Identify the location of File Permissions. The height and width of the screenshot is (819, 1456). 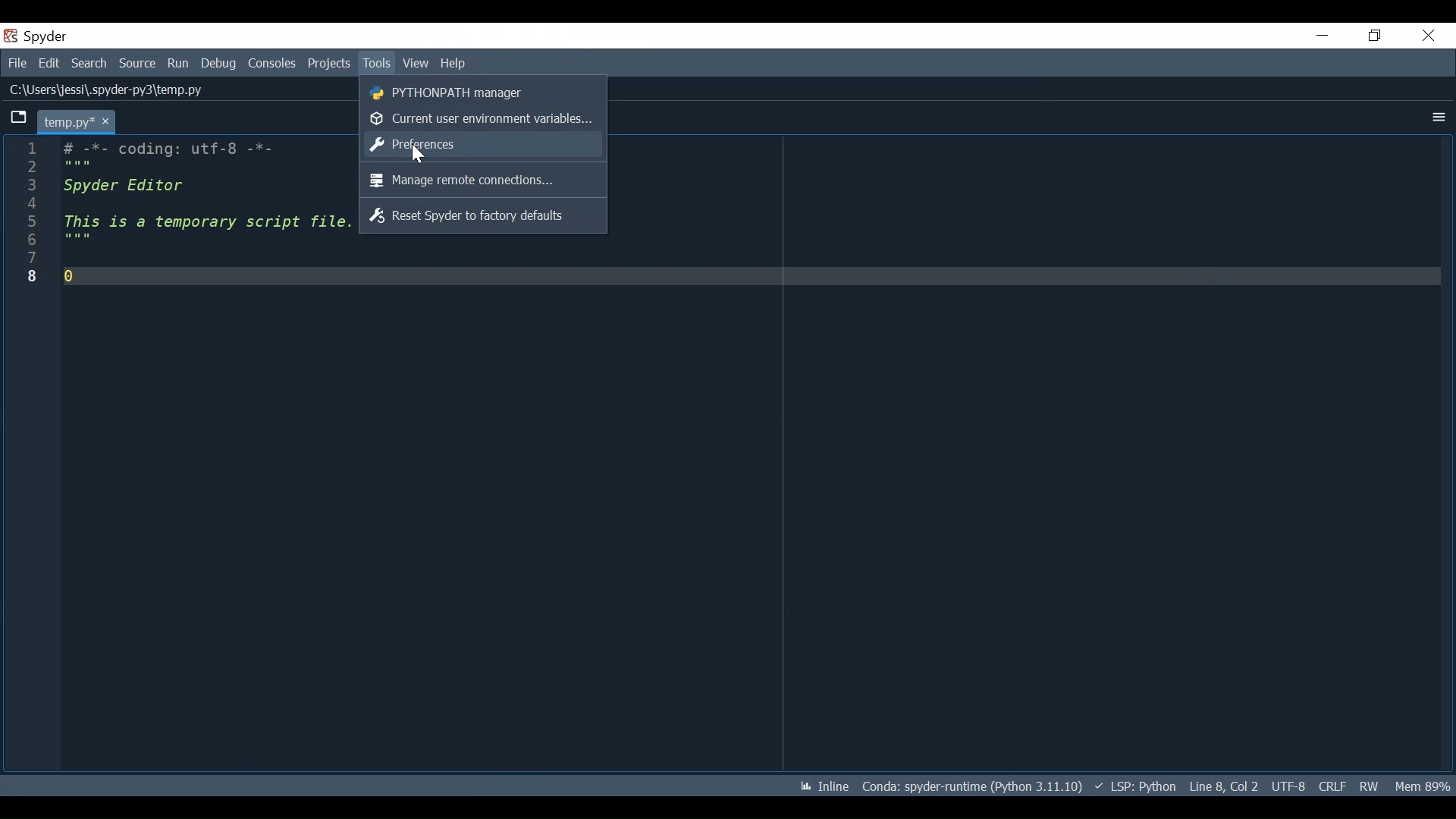
(1372, 785).